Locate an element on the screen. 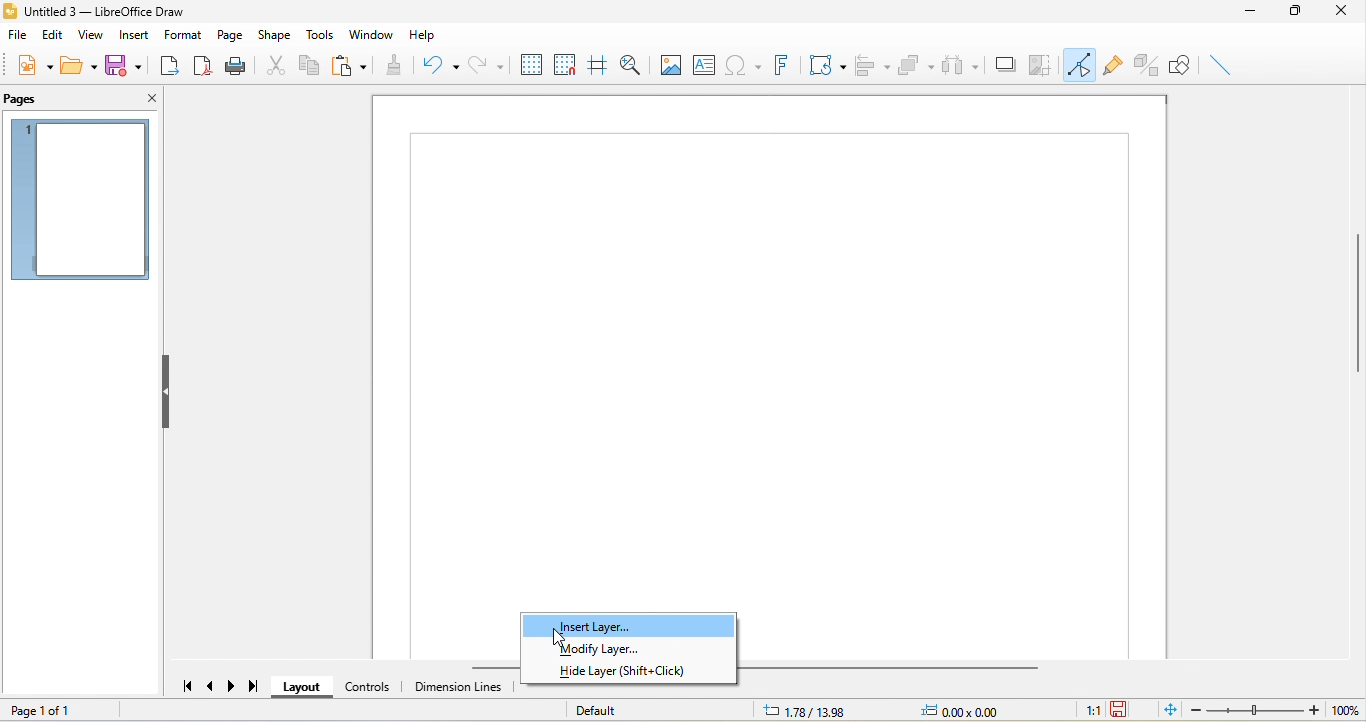  0.00x0.00 is located at coordinates (975, 710).